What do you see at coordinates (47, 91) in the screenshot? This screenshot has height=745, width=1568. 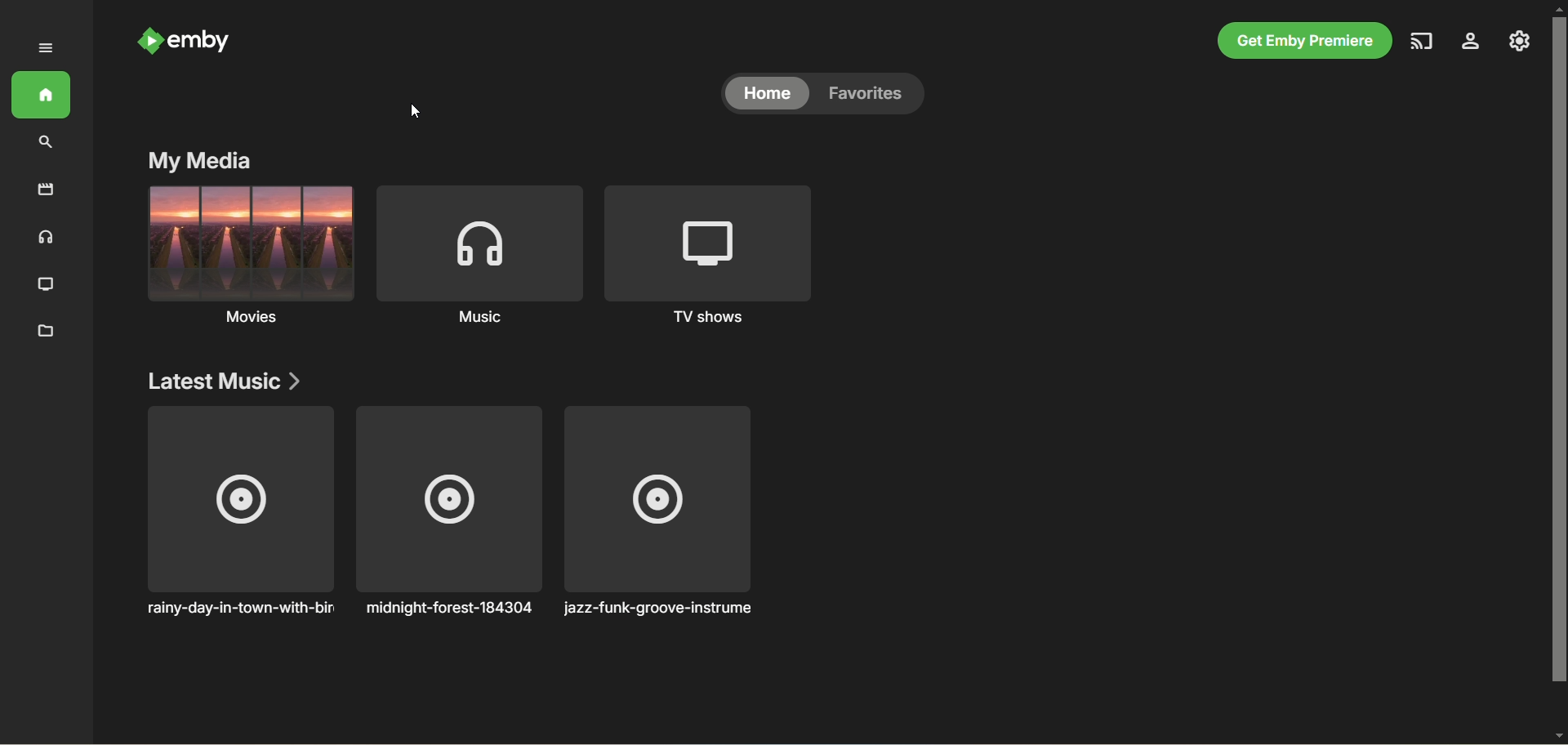 I see `home` at bounding box center [47, 91].